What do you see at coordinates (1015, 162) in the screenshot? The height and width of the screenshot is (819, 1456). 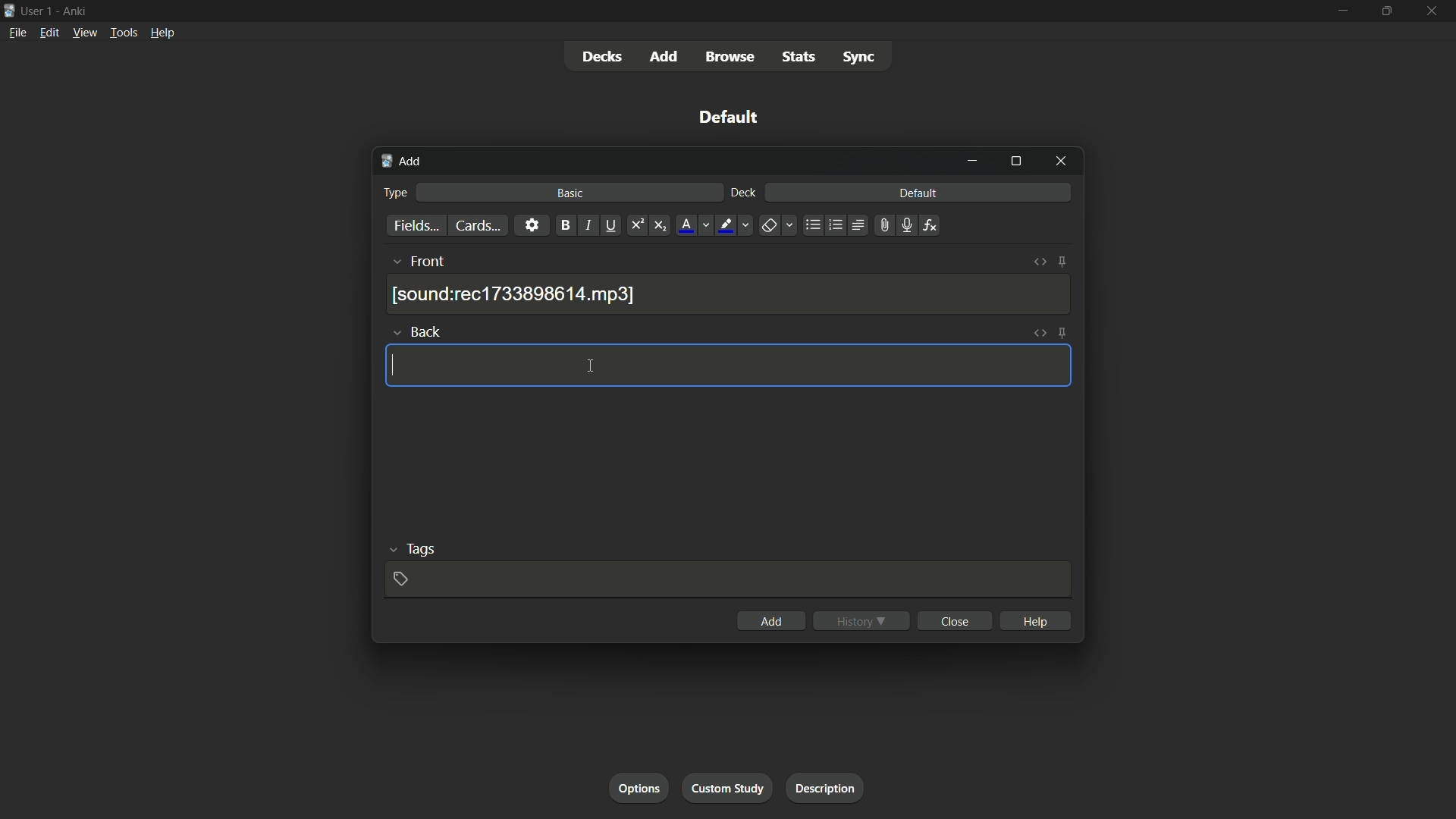 I see `maximize` at bounding box center [1015, 162].